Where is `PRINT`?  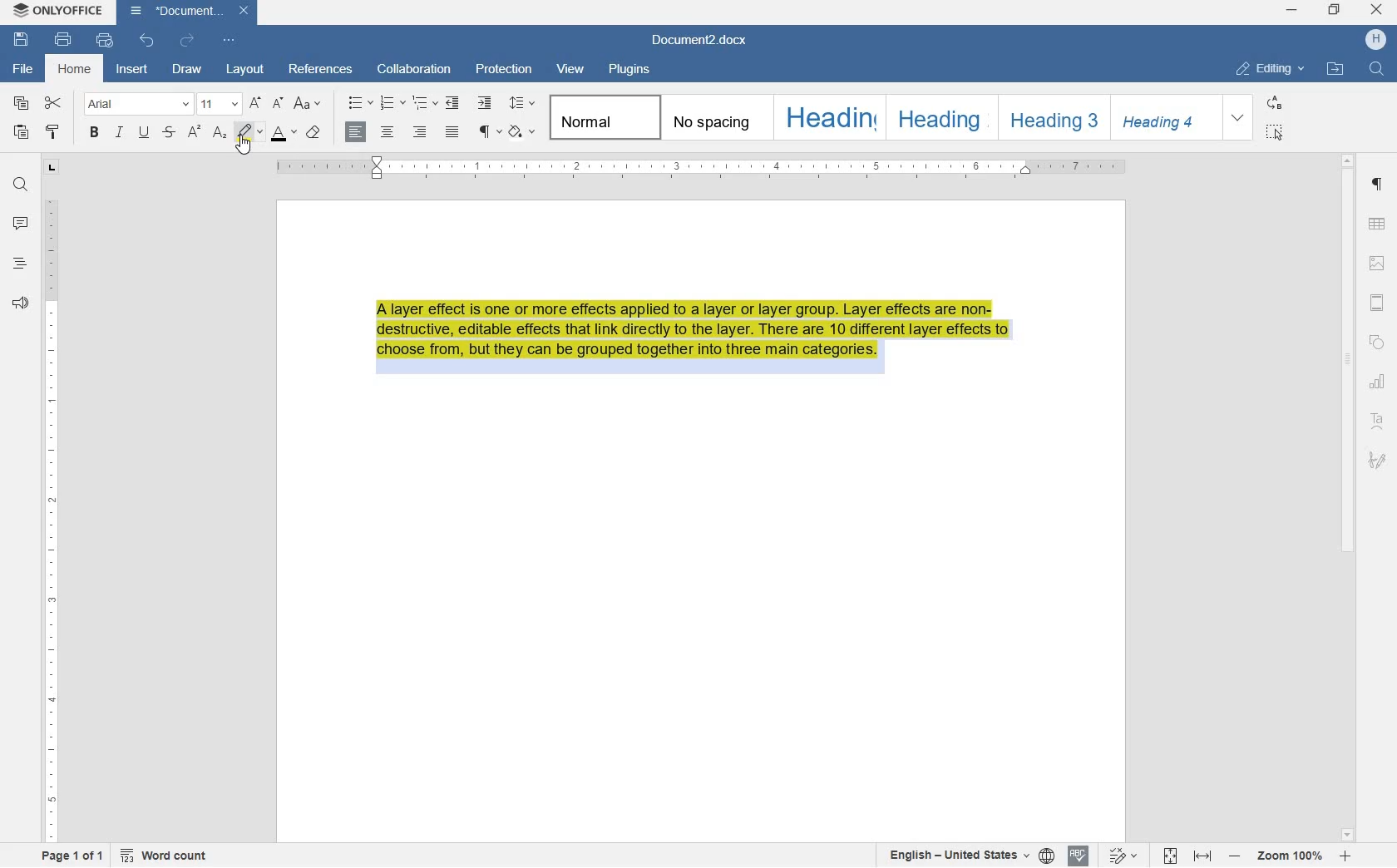
PRINT is located at coordinates (62, 40).